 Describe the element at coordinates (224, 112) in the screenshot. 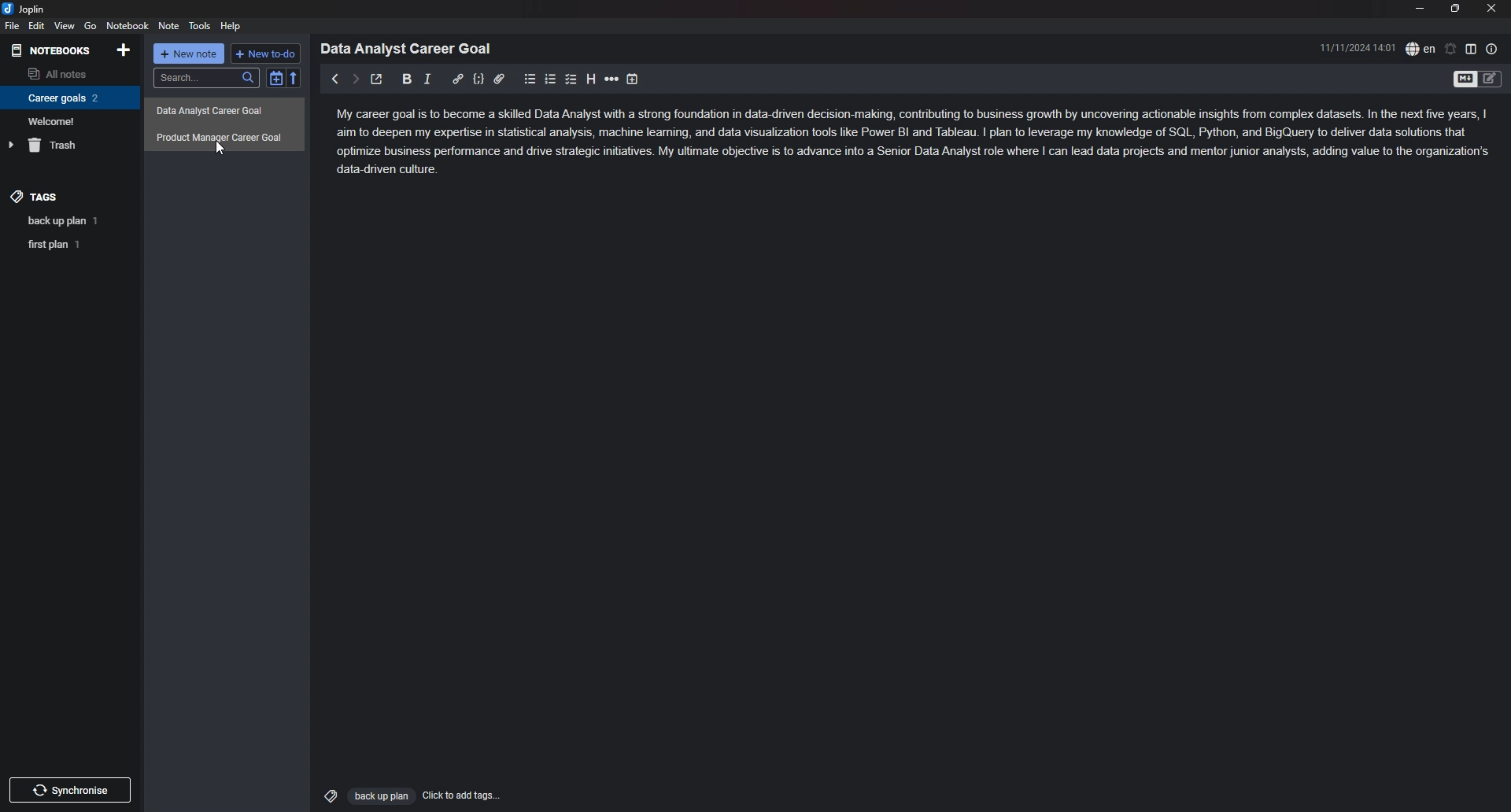

I see `Data Analyst Career Goal` at that location.